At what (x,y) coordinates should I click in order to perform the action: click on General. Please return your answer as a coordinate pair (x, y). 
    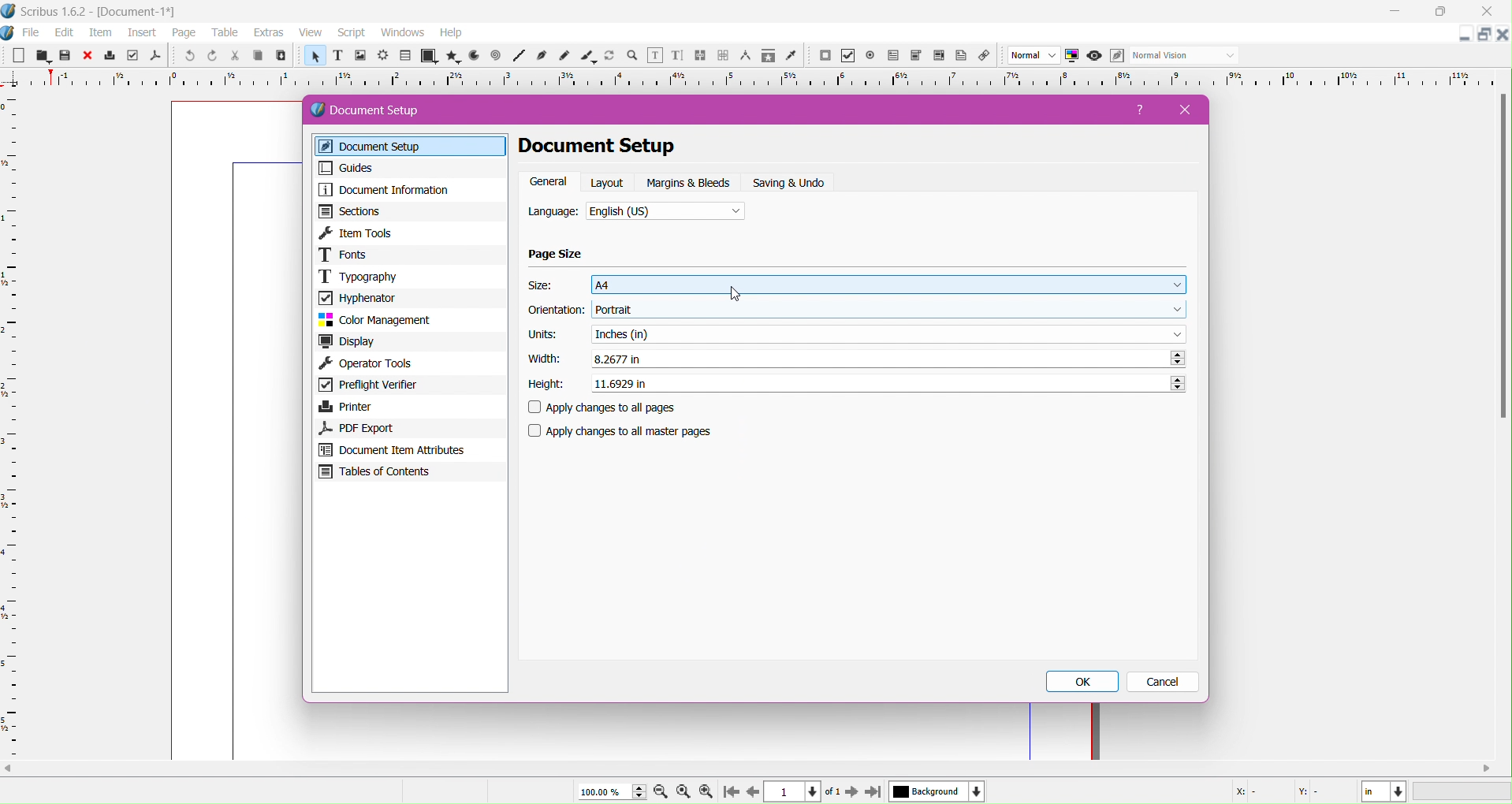
    Looking at the image, I should click on (549, 182).